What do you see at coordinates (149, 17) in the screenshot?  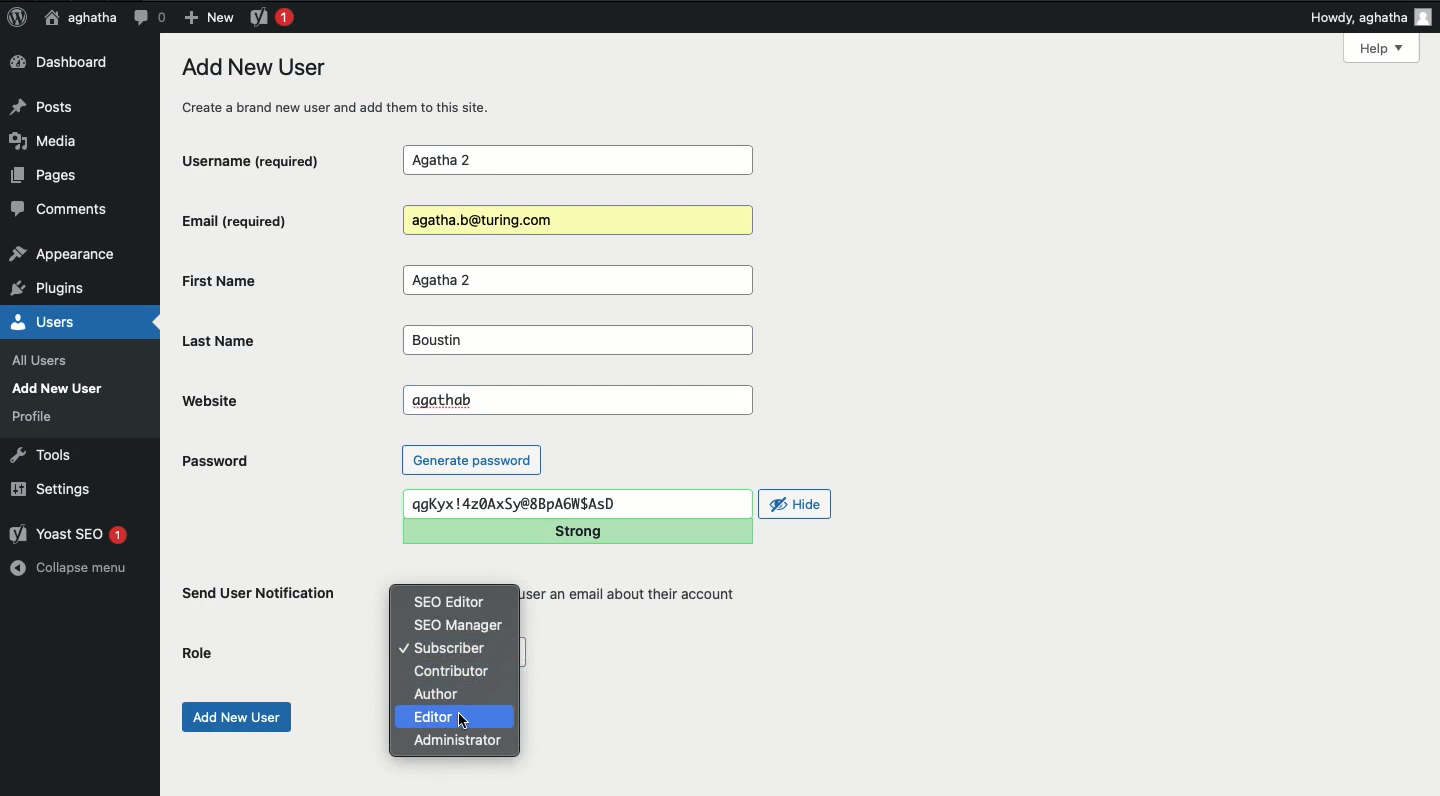 I see `Comment` at bounding box center [149, 17].